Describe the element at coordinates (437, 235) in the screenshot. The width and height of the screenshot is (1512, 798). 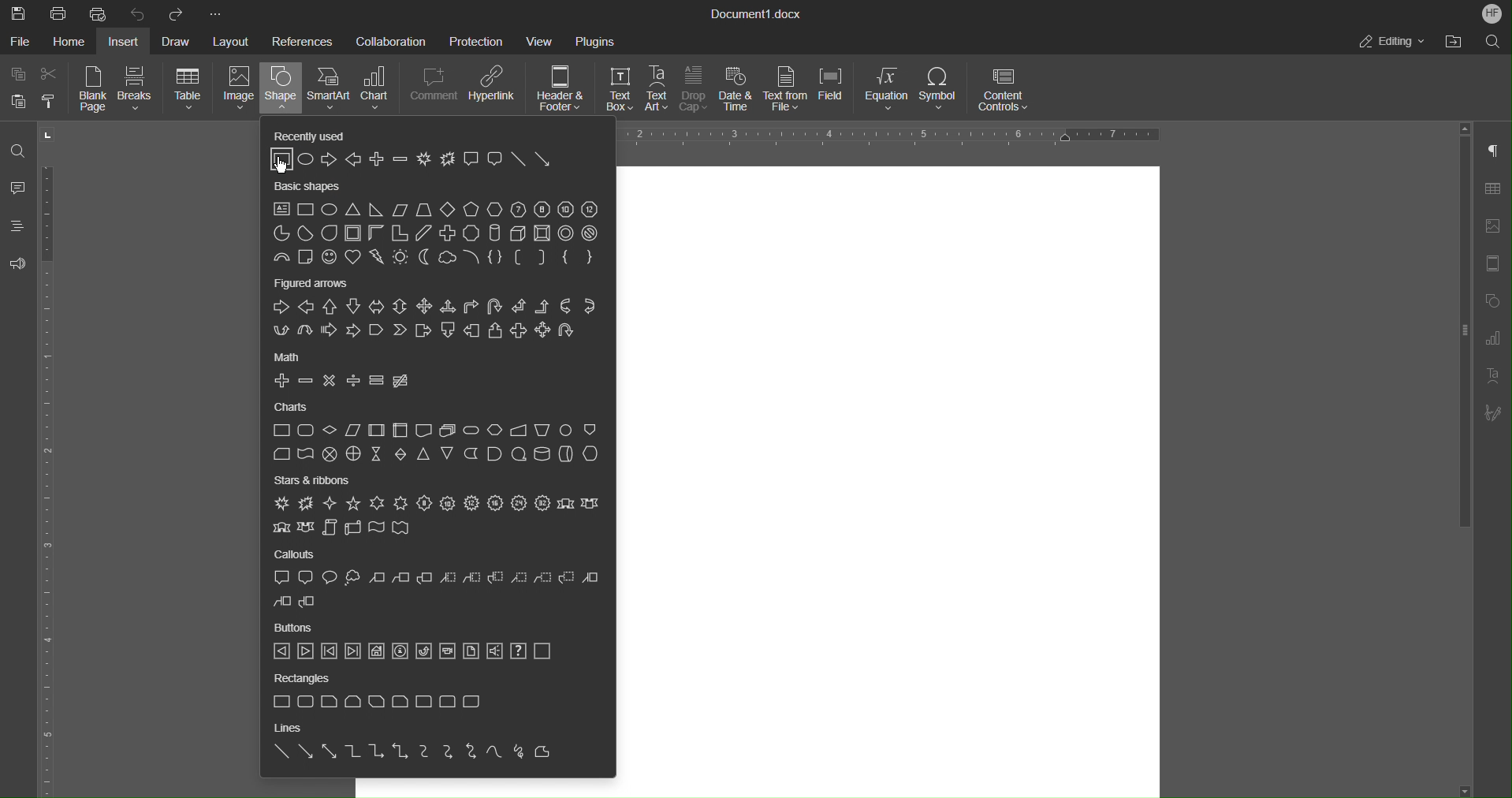
I see `Basic Shapes ` at that location.